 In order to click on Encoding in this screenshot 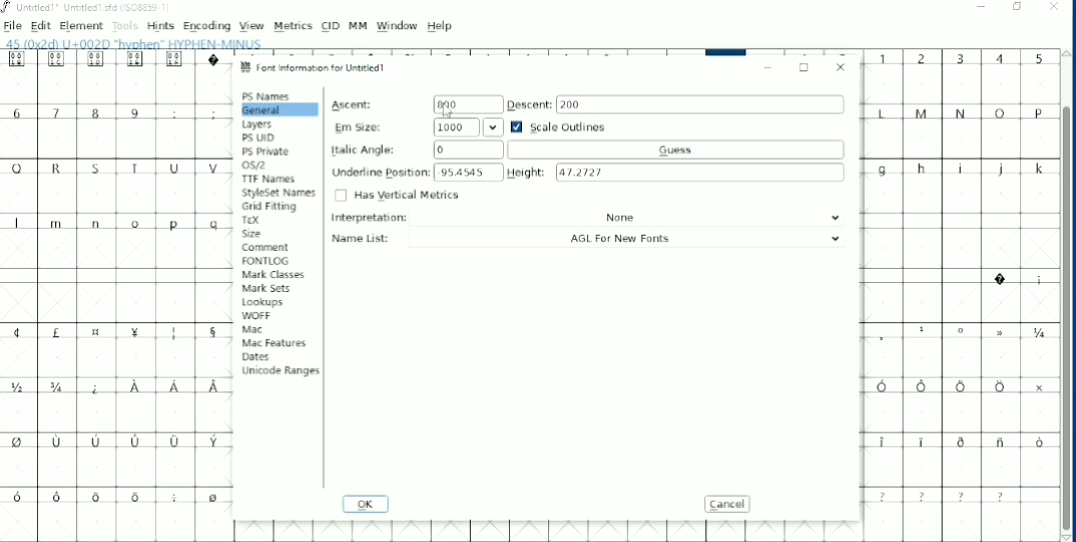, I will do `click(206, 26)`.